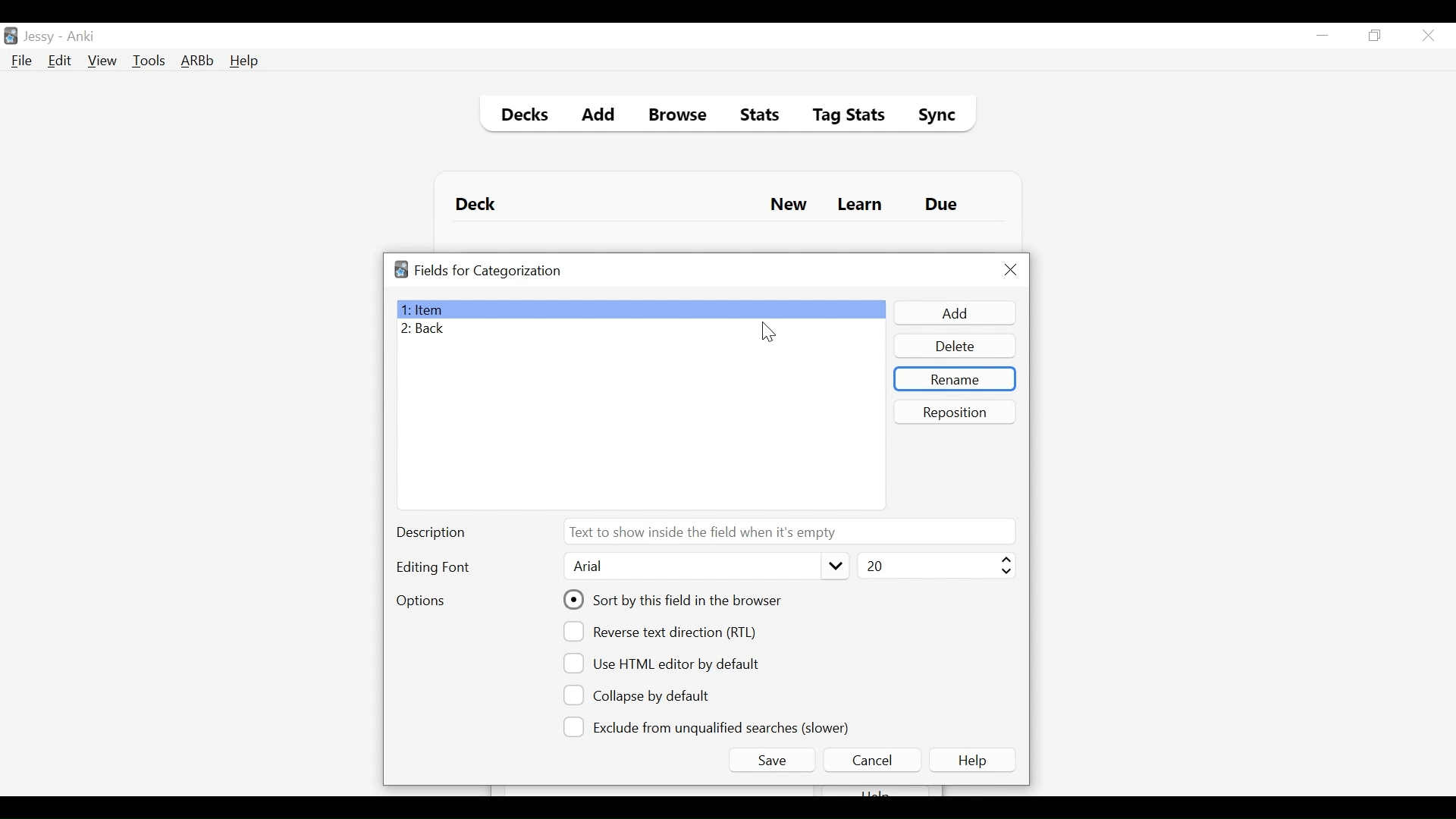 The image size is (1456, 819). Describe the element at coordinates (401, 269) in the screenshot. I see `Application logo` at that location.